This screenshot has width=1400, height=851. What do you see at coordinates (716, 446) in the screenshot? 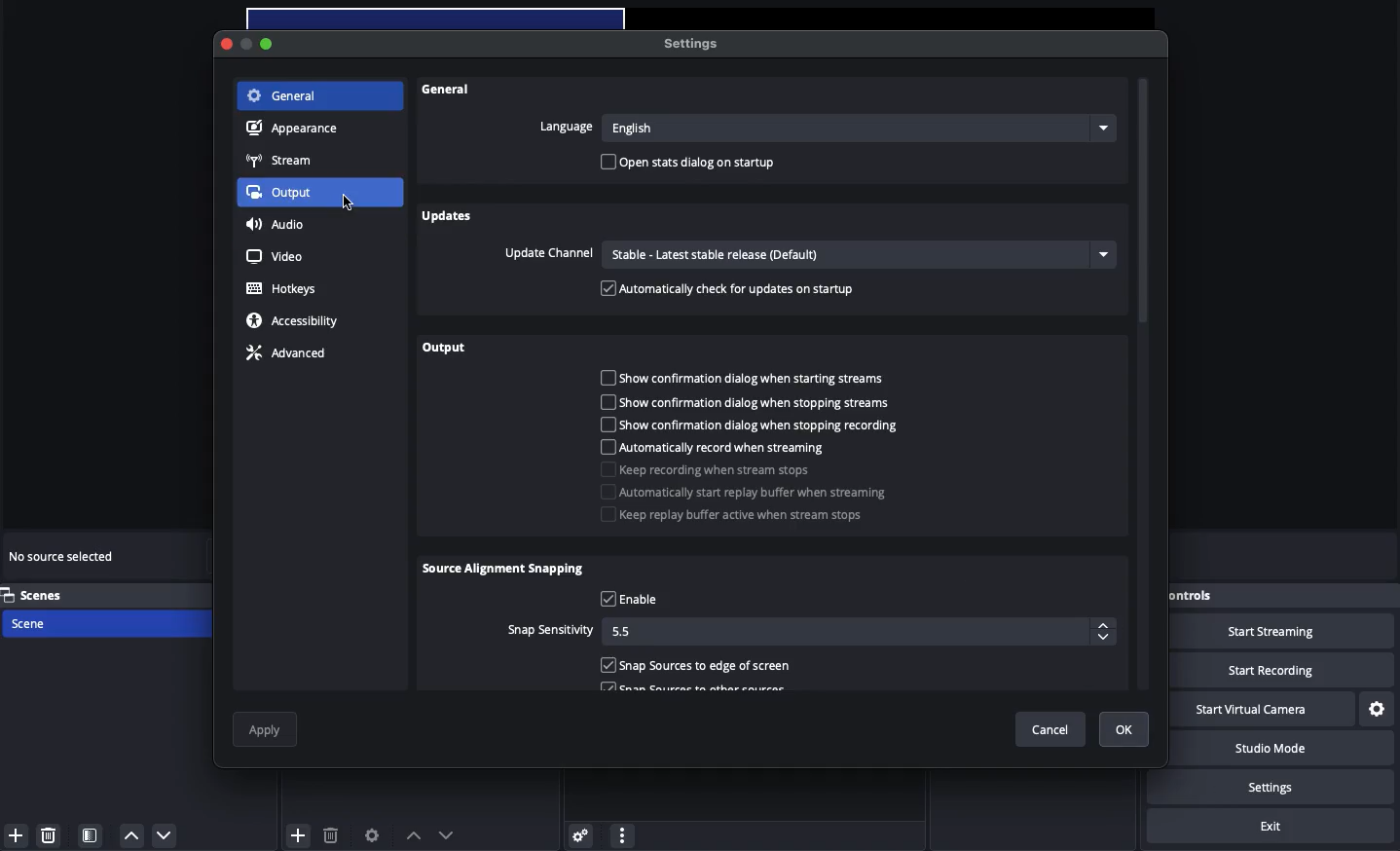
I see `Automatically record when streaming` at bounding box center [716, 446].